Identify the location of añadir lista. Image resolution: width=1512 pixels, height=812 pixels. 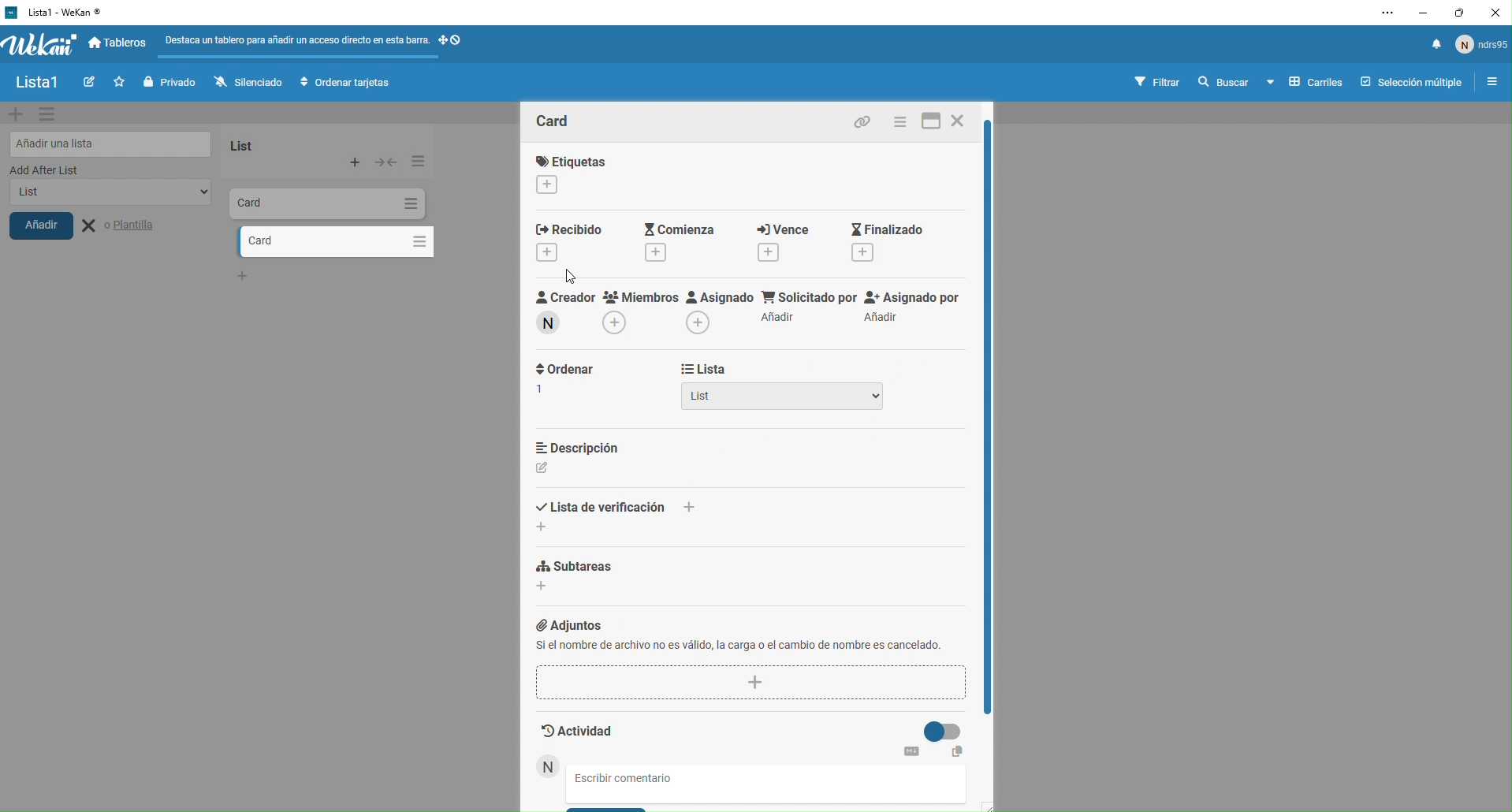
(107, 142).